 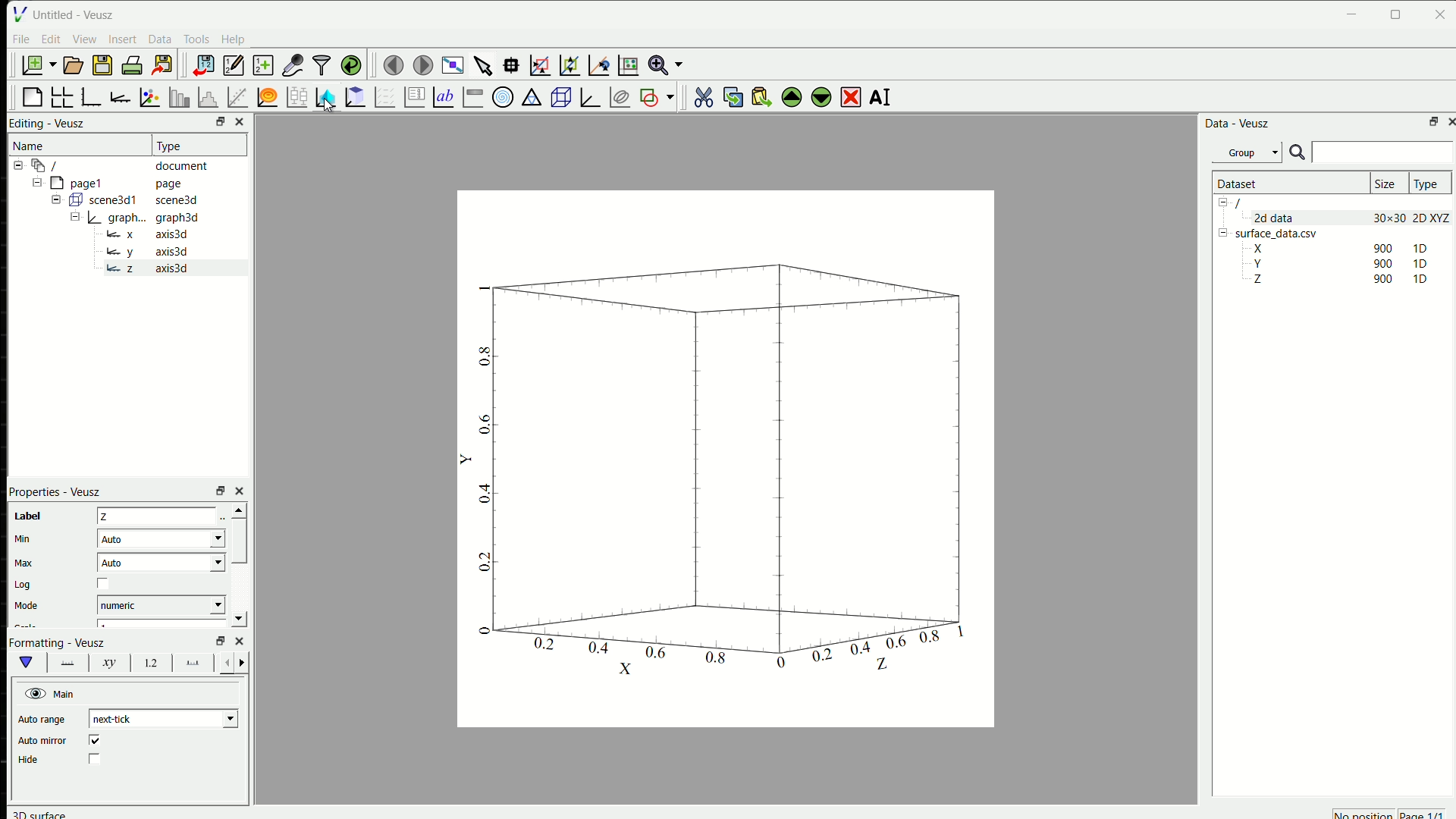 I want to click on plot box plots, so click(x=298, y=96).